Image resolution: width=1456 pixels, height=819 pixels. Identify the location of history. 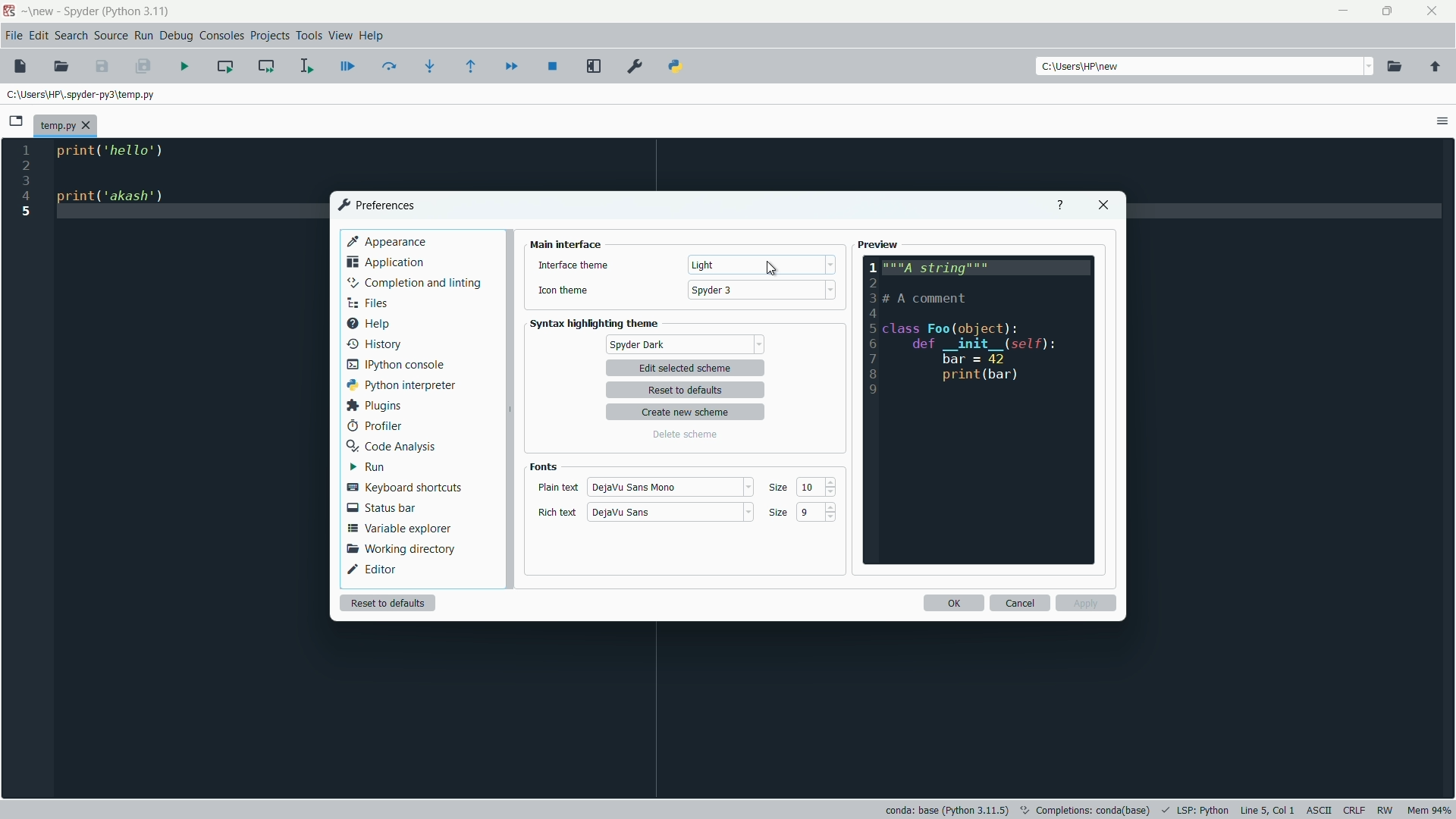
(372, 342).